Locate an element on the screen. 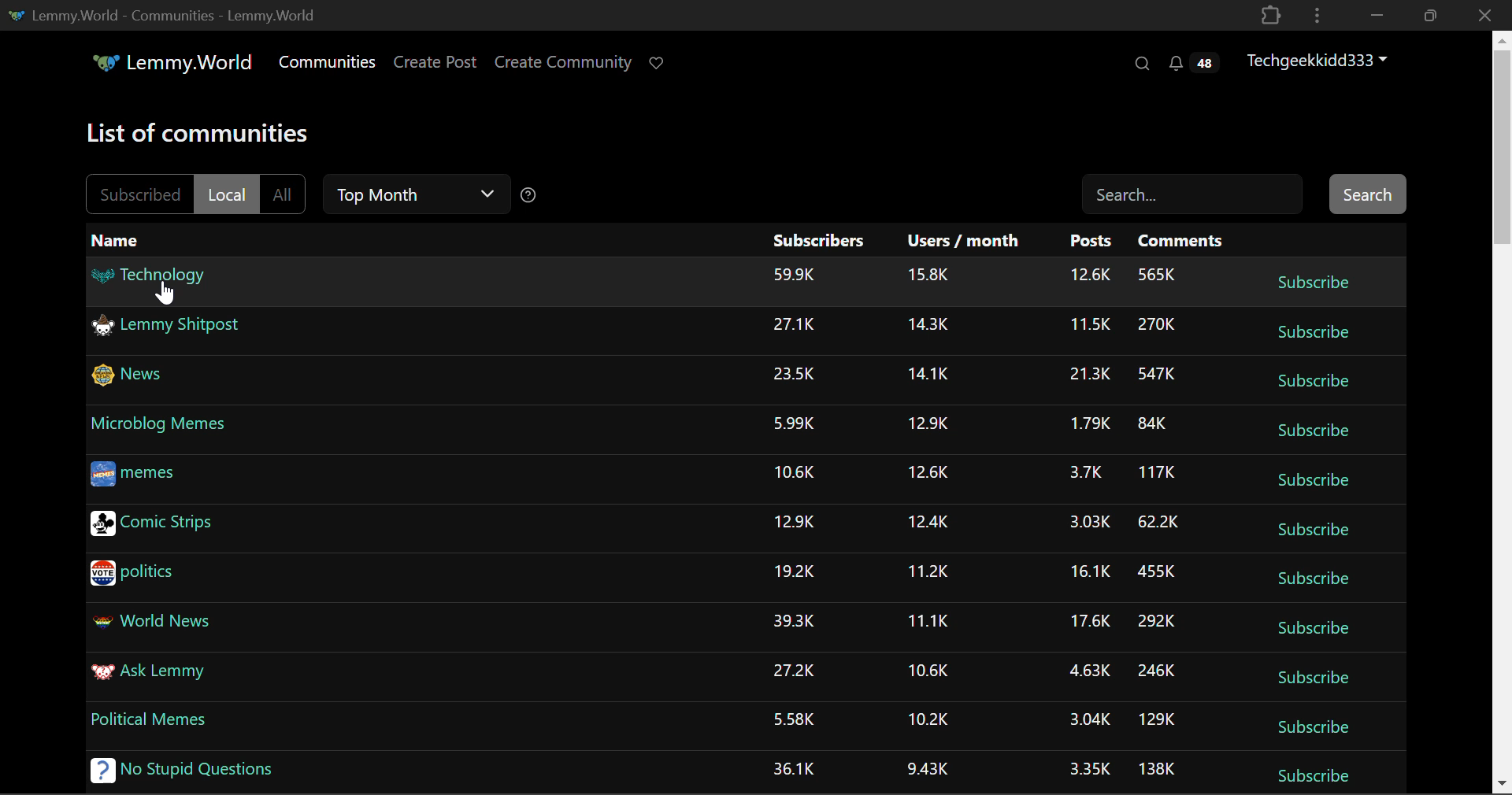 The width and height of the screenshot is (1512, 795). News is located at coordinates (133, 376).